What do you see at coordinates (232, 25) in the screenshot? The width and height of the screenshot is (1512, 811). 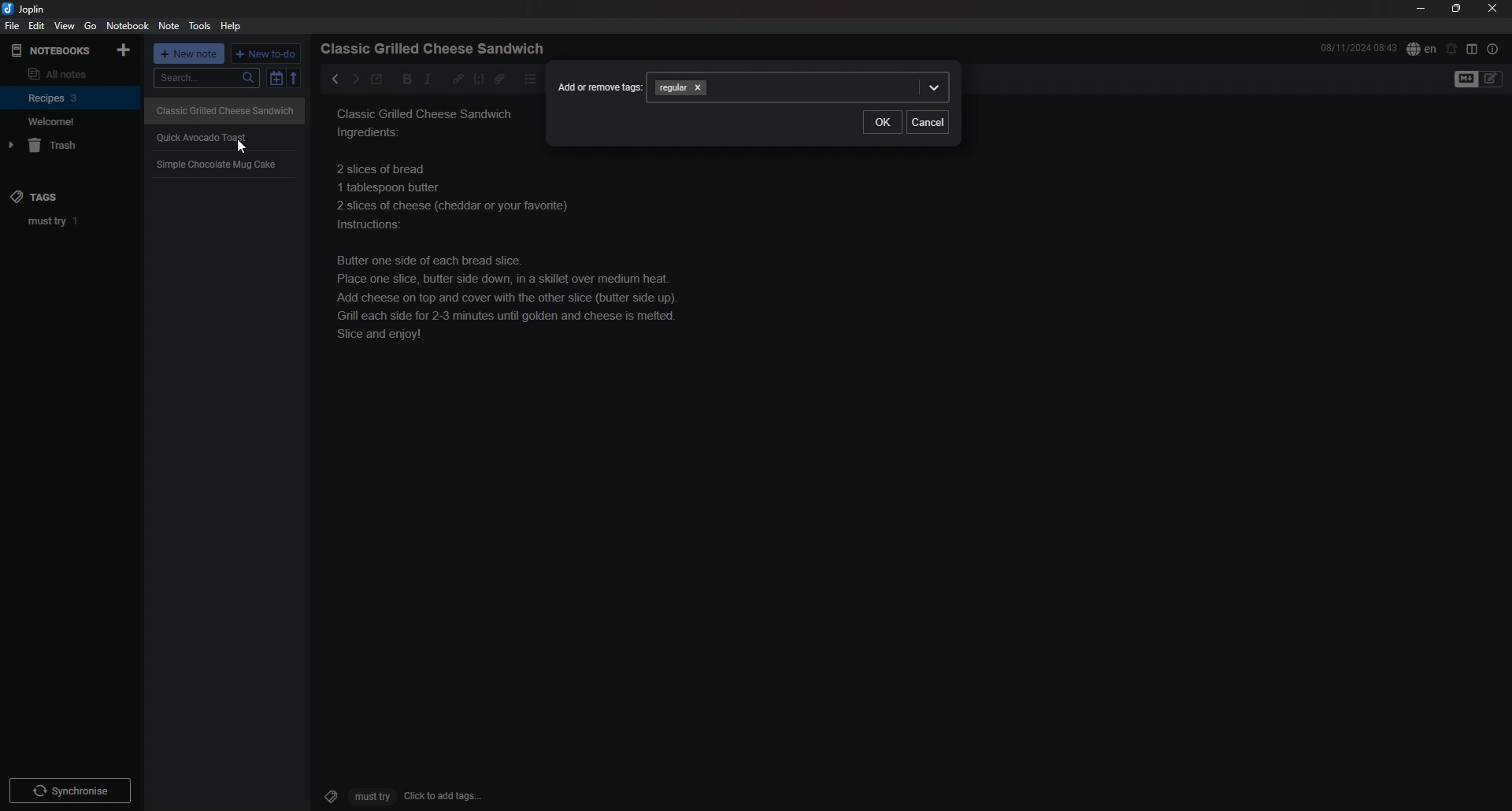 I see `Help` at bounding box center [232, 25].